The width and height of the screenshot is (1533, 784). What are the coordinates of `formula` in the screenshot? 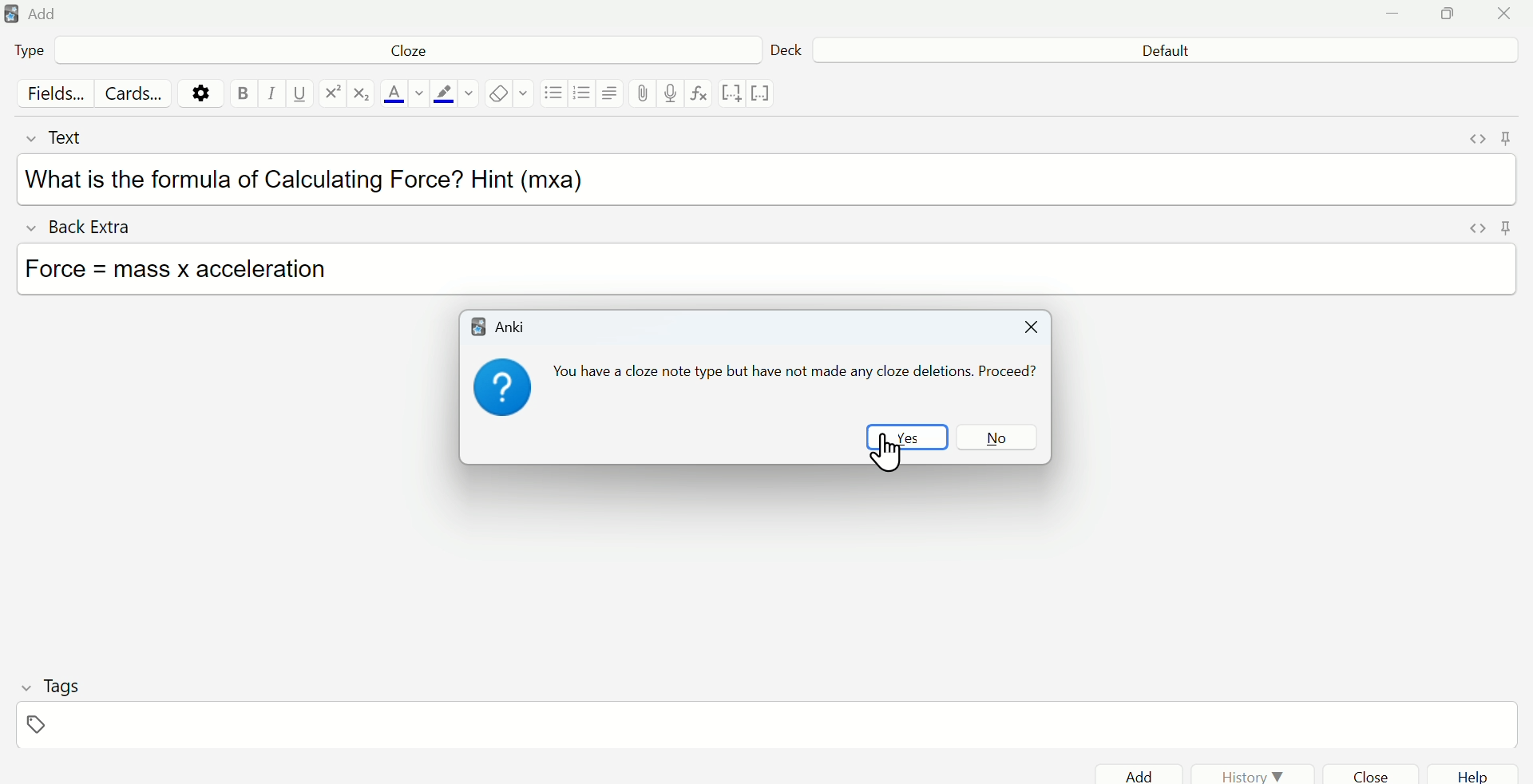 It's located at (701, 97).